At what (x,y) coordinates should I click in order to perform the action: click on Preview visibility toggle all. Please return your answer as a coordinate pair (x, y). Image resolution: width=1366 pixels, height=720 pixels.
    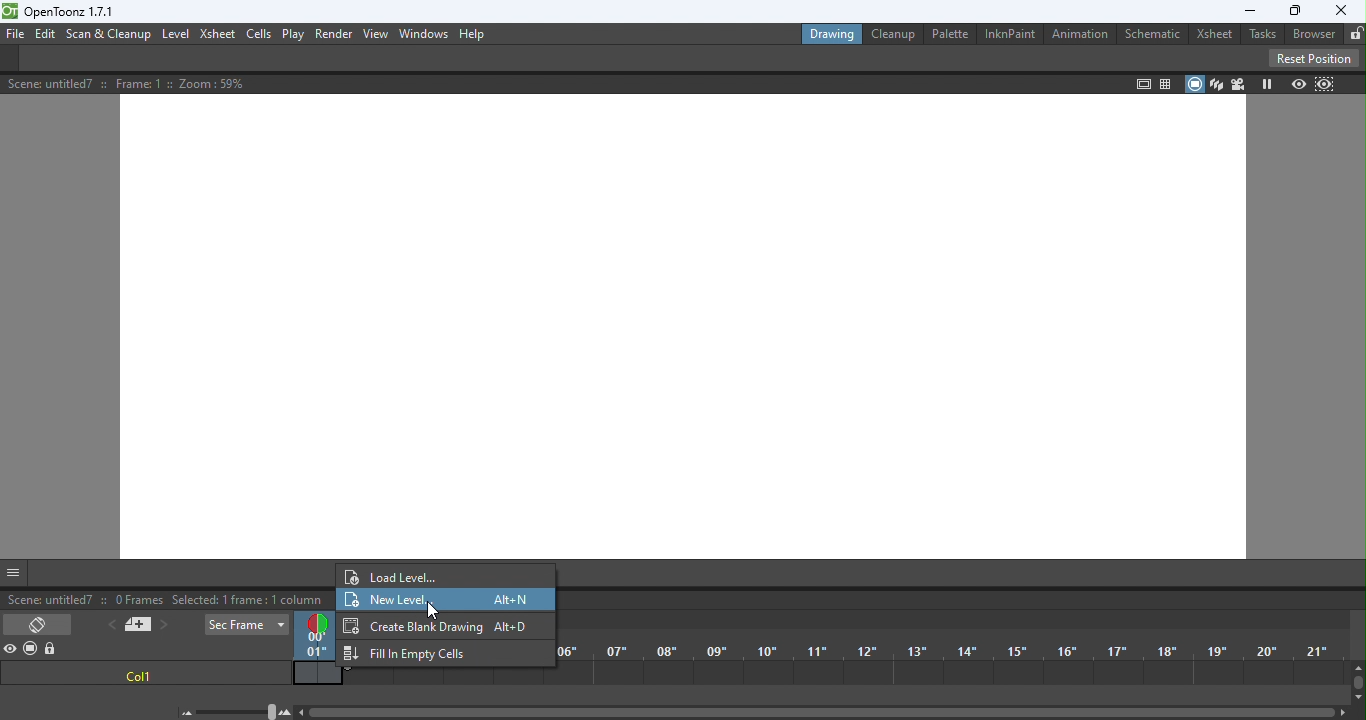
    Looking at the image, I should click on (12, 651).